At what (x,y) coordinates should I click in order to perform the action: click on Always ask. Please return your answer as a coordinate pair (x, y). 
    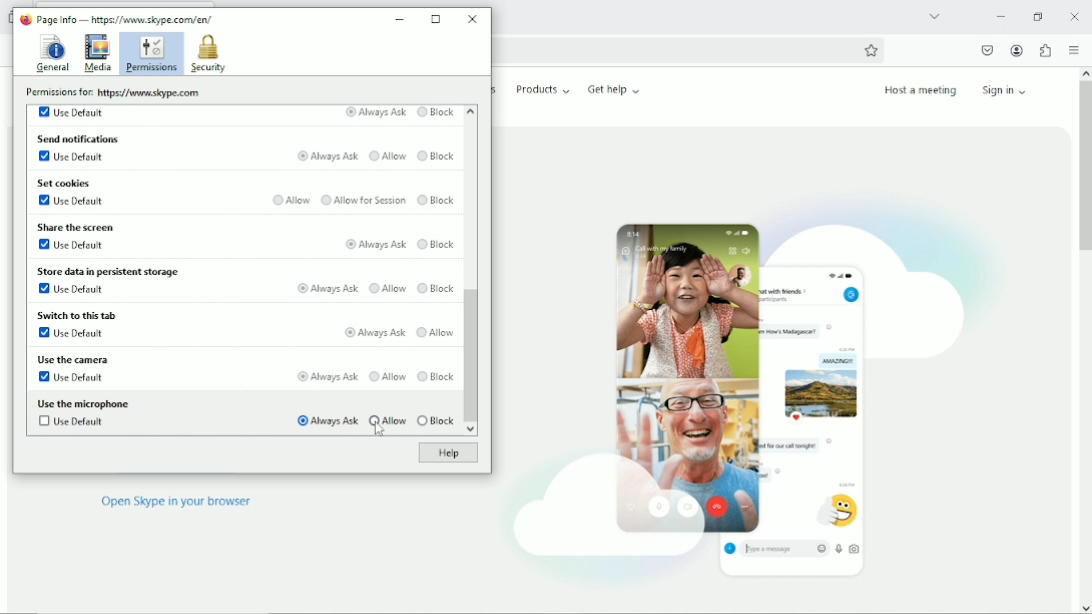
    Looking at the image, I should click on (375, 332).